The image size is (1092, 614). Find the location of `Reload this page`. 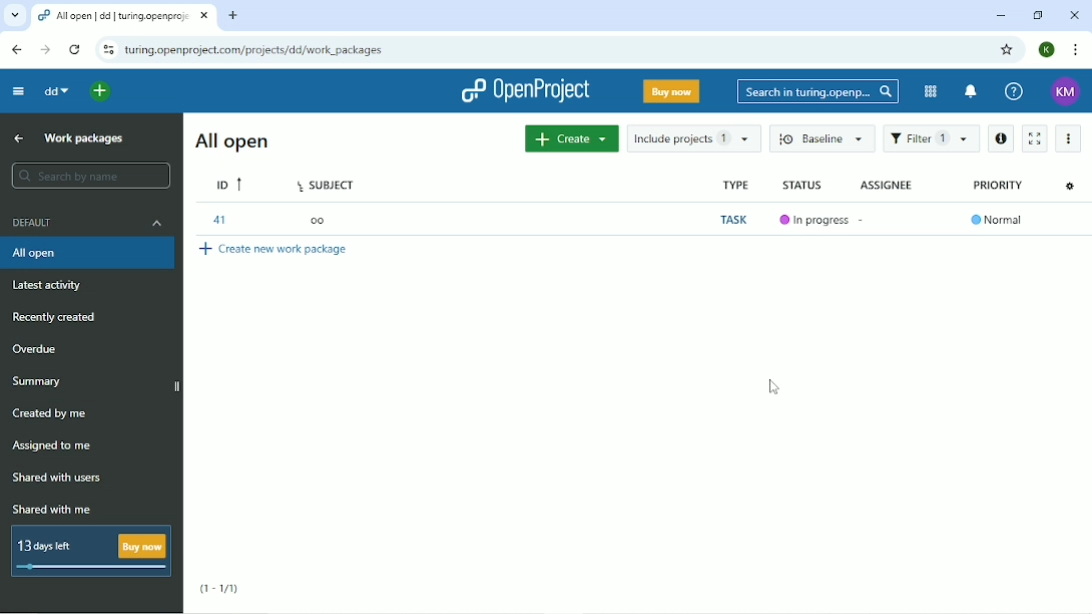

Reload this page is located at coordinates (76, 51).